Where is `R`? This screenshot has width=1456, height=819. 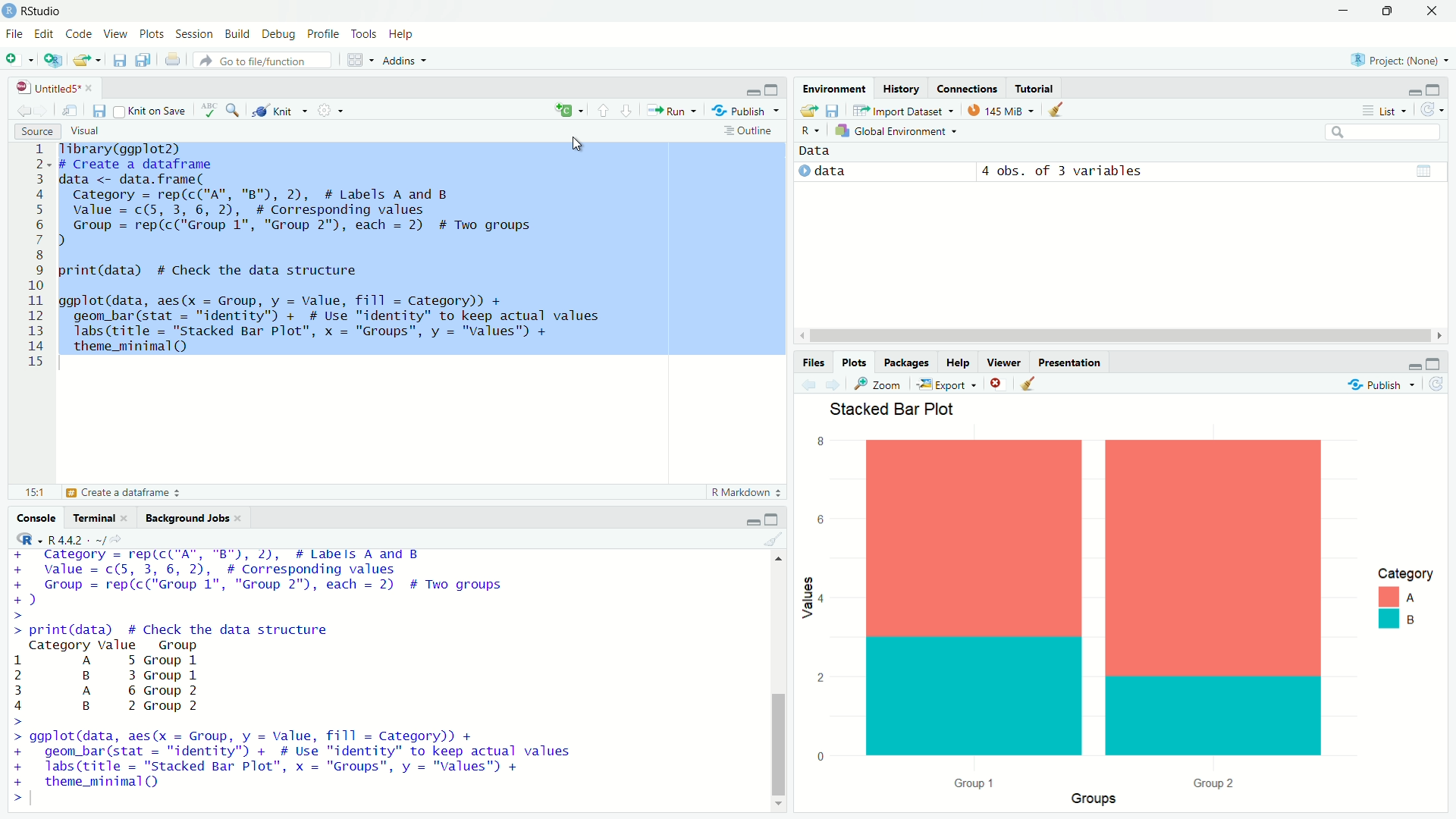 R is located at coordinates (811, 130).